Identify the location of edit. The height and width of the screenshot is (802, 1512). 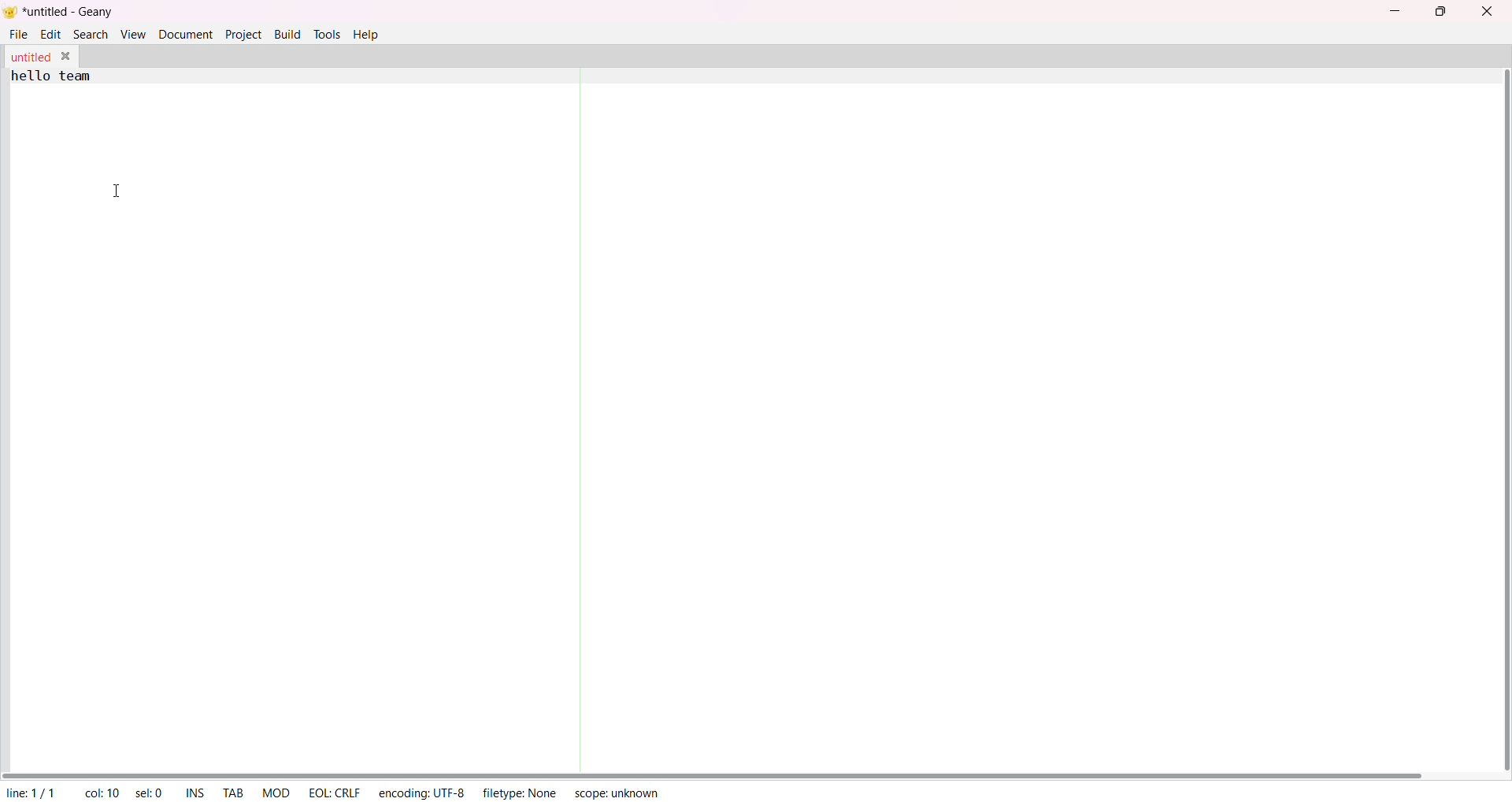
(50, 34).